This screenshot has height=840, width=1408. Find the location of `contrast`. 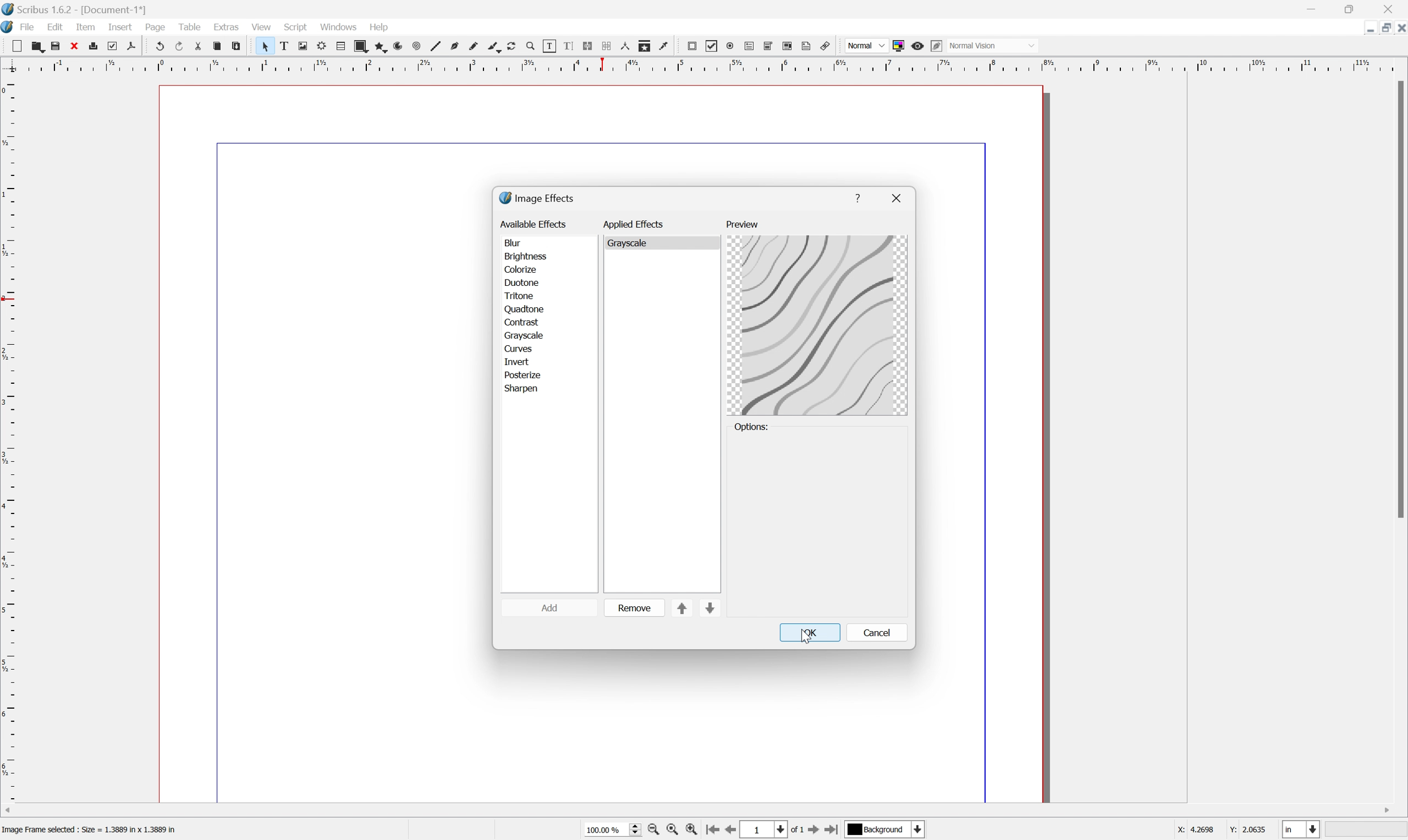

contrast is located at coordinates (523, 322).